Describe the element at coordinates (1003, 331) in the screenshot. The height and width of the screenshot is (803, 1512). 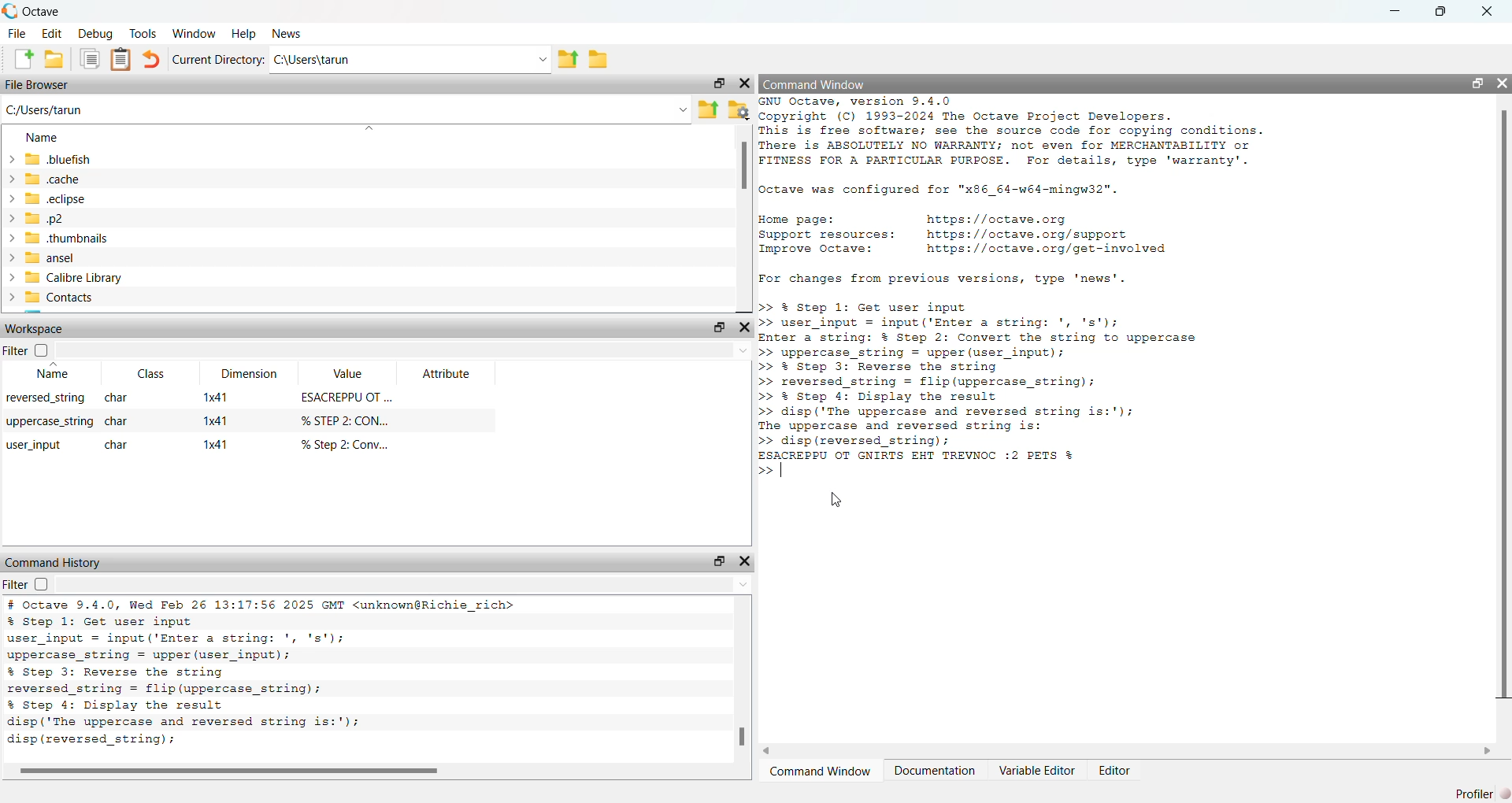
I see `code to convert string to uppercase` at that location.